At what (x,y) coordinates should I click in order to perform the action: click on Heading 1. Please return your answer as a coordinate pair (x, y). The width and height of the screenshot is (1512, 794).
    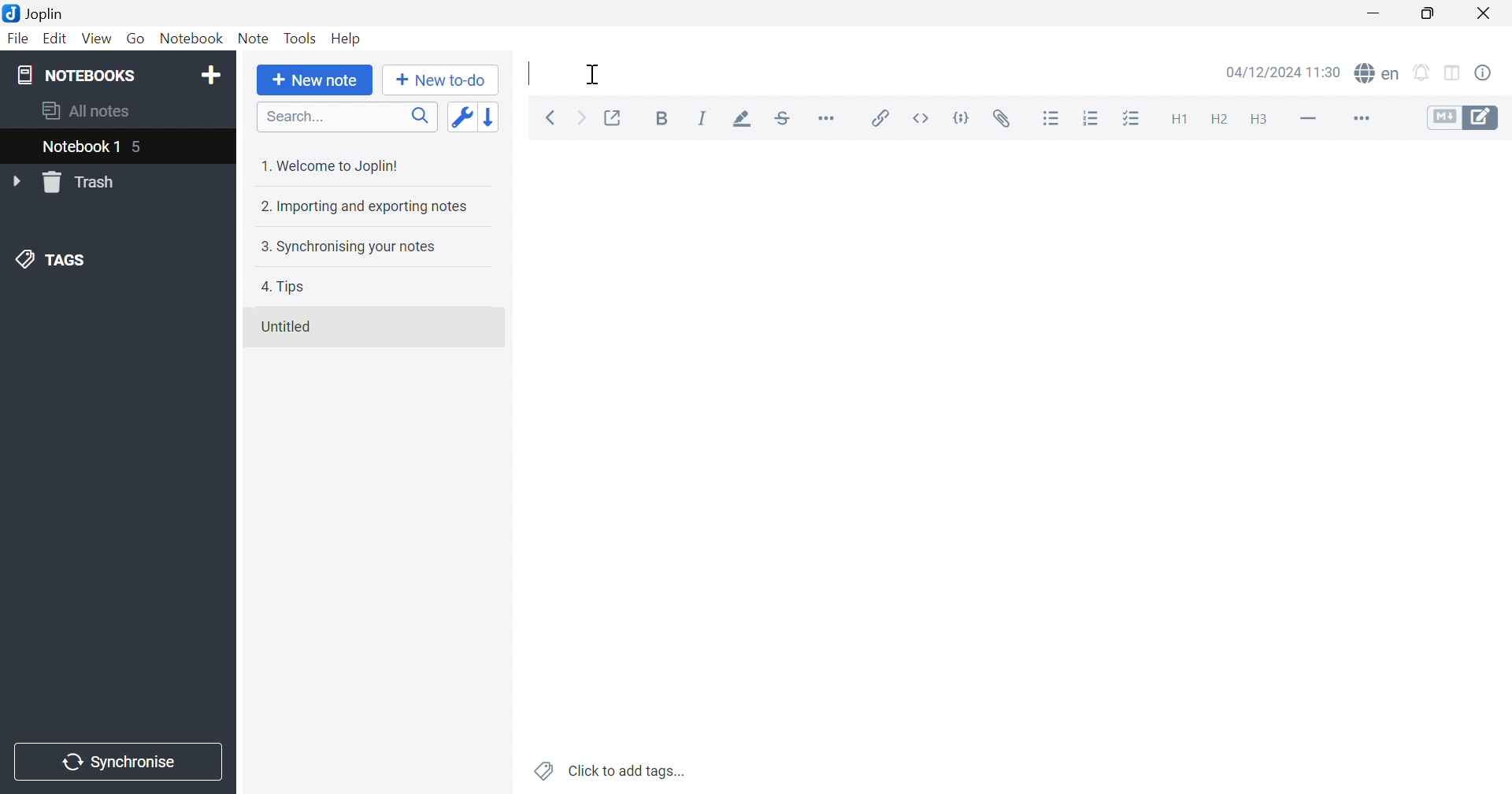
    Looking at the image, I should click on (1180, 120).